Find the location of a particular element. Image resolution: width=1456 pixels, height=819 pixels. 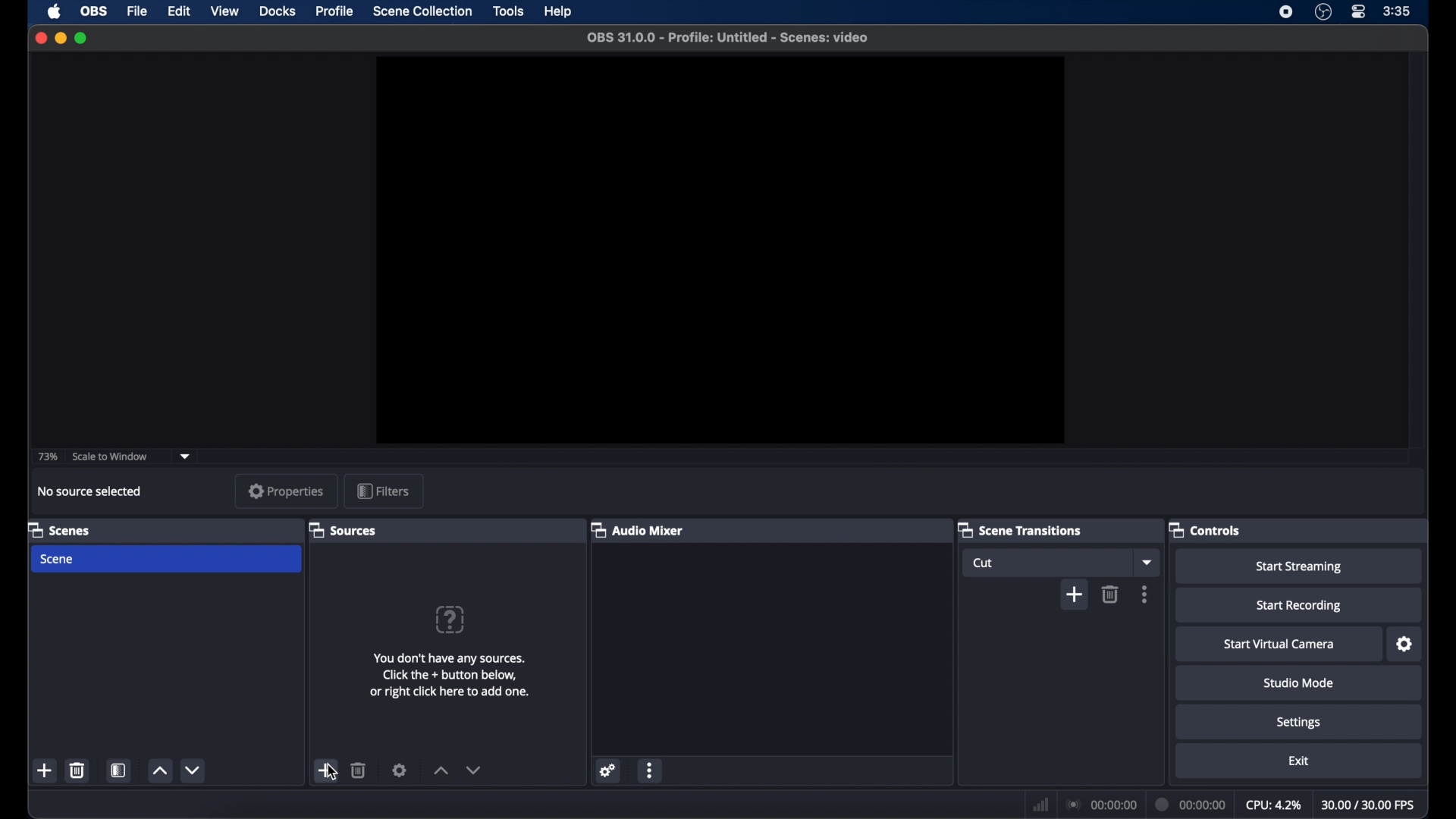

file is located at coordinates (138, 11).